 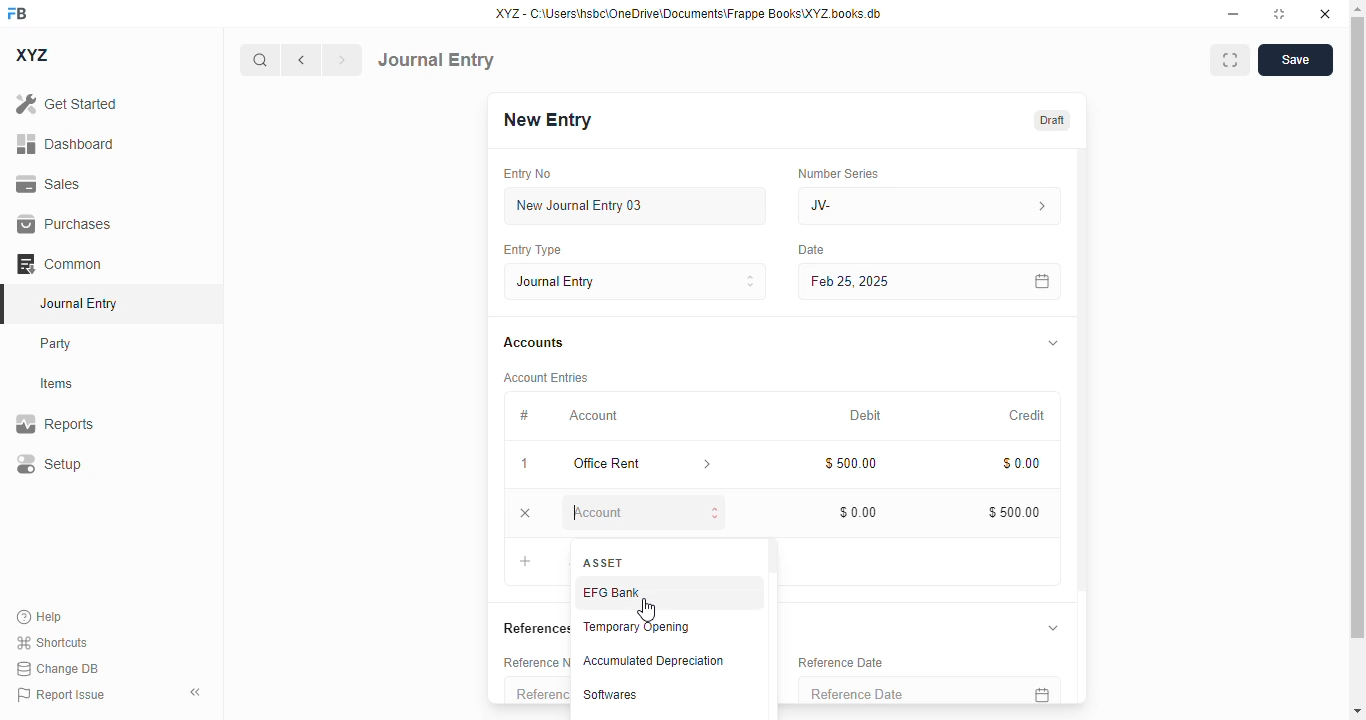 What do you see at coordinates (1013, 511) in the screenshot?
I see `$500.00` at bounding box center [1013, 511].